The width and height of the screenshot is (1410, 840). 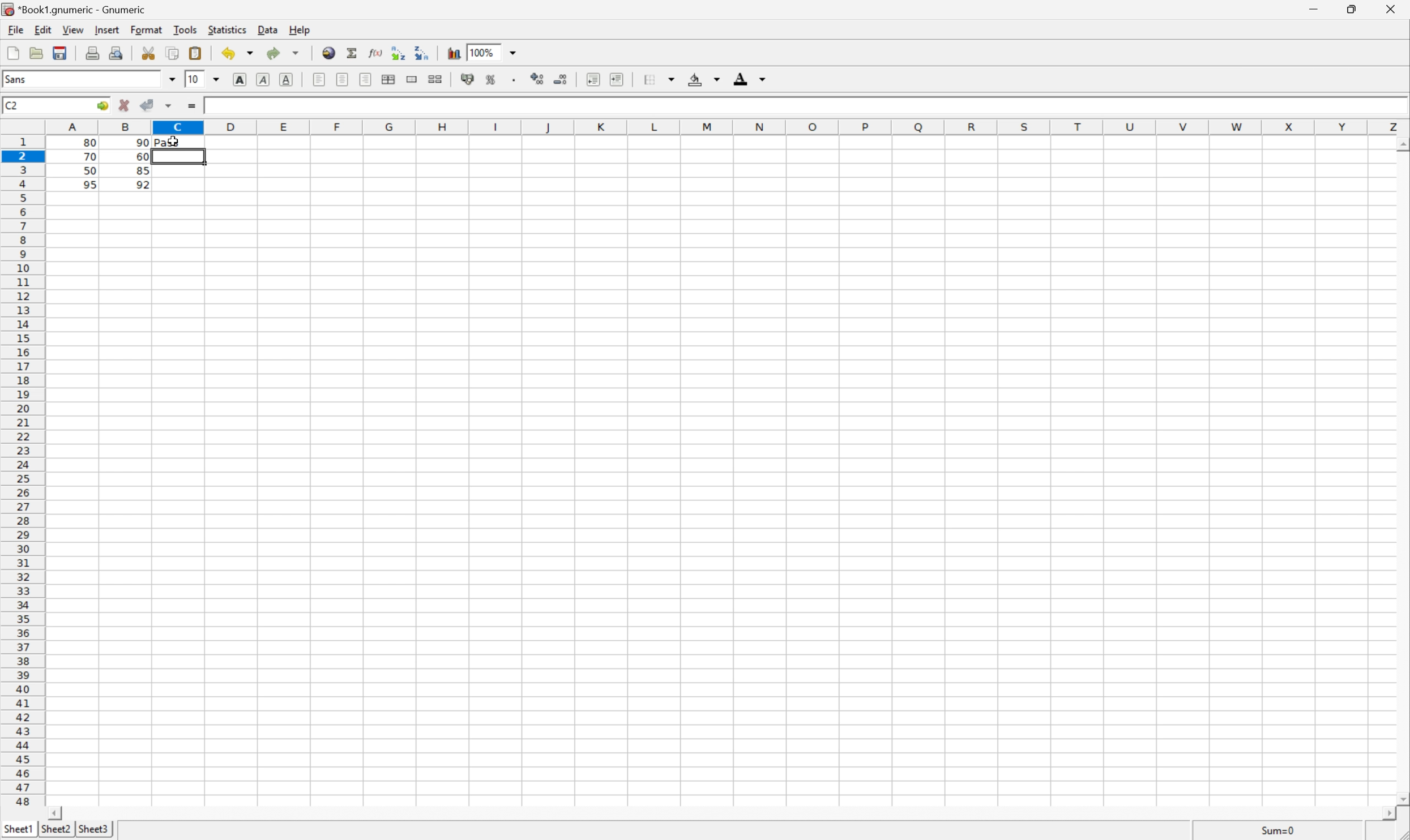 I want to click on 100%, so click(x=490, y=52).